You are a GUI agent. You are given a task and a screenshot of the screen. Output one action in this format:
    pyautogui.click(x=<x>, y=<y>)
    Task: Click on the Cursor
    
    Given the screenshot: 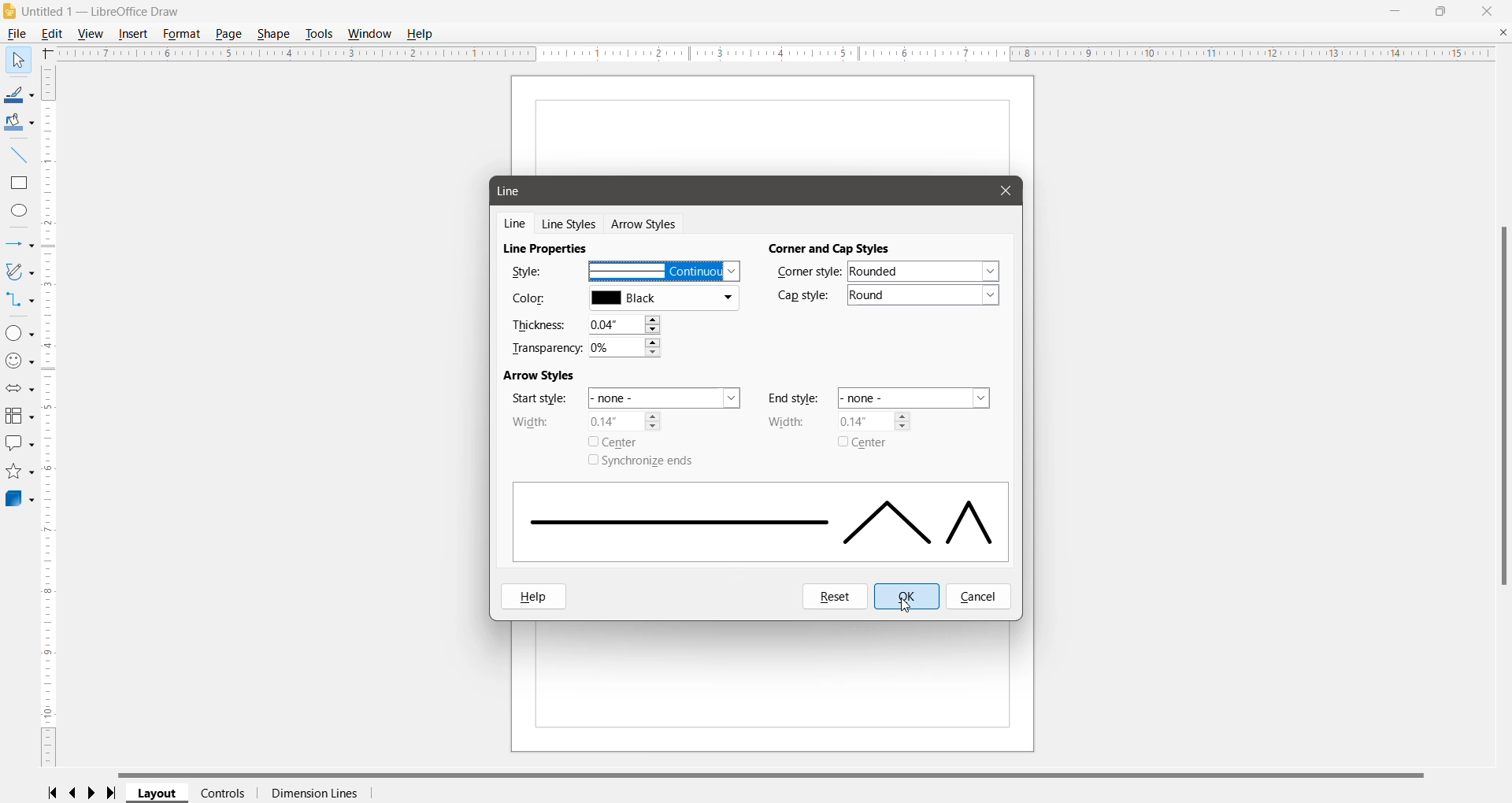 What is the action you would take?
    pyautogui.click(x=906, y=606)
    